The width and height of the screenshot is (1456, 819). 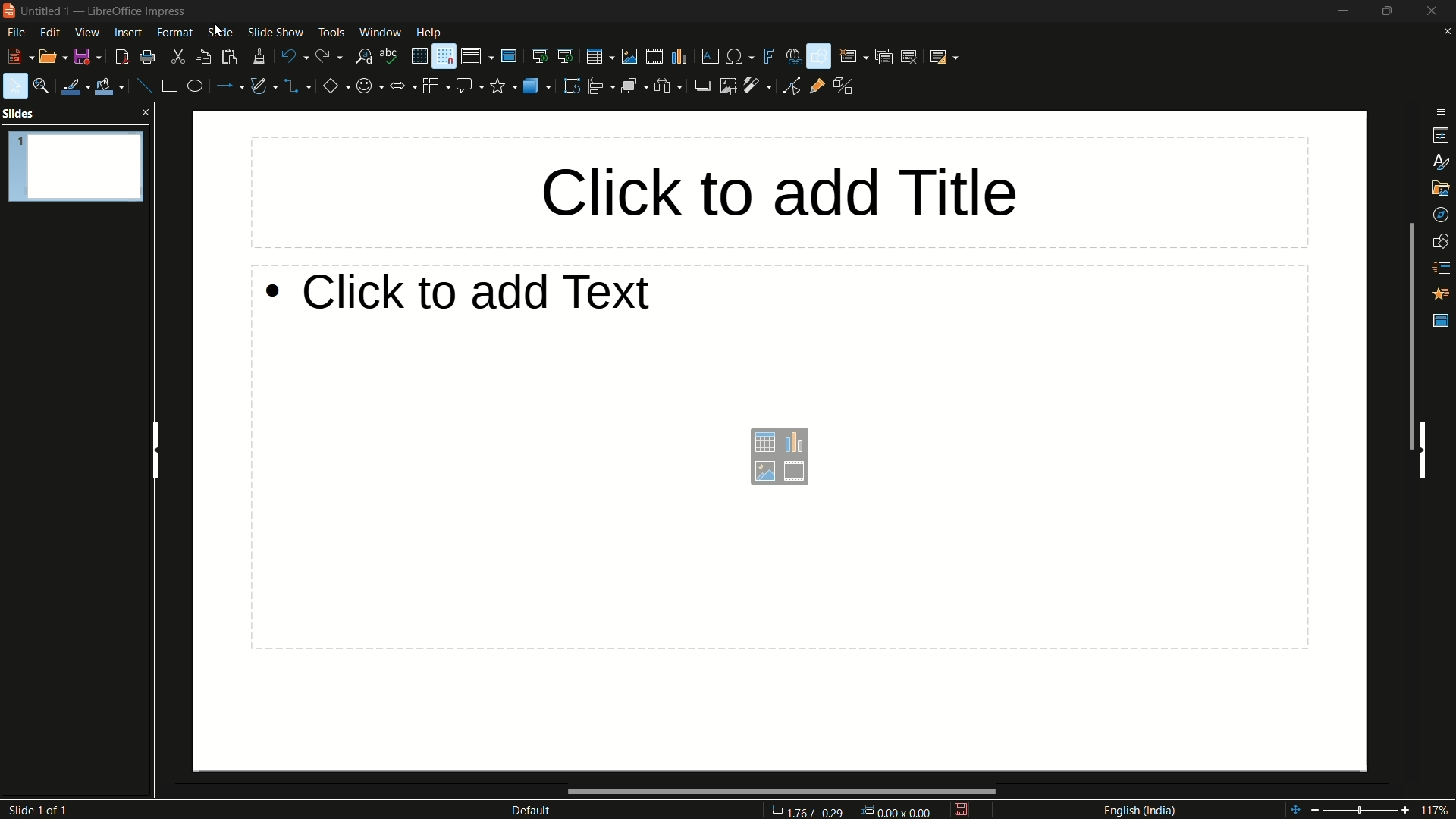 I want to click on stars and banners, so click(x=503, y=86).